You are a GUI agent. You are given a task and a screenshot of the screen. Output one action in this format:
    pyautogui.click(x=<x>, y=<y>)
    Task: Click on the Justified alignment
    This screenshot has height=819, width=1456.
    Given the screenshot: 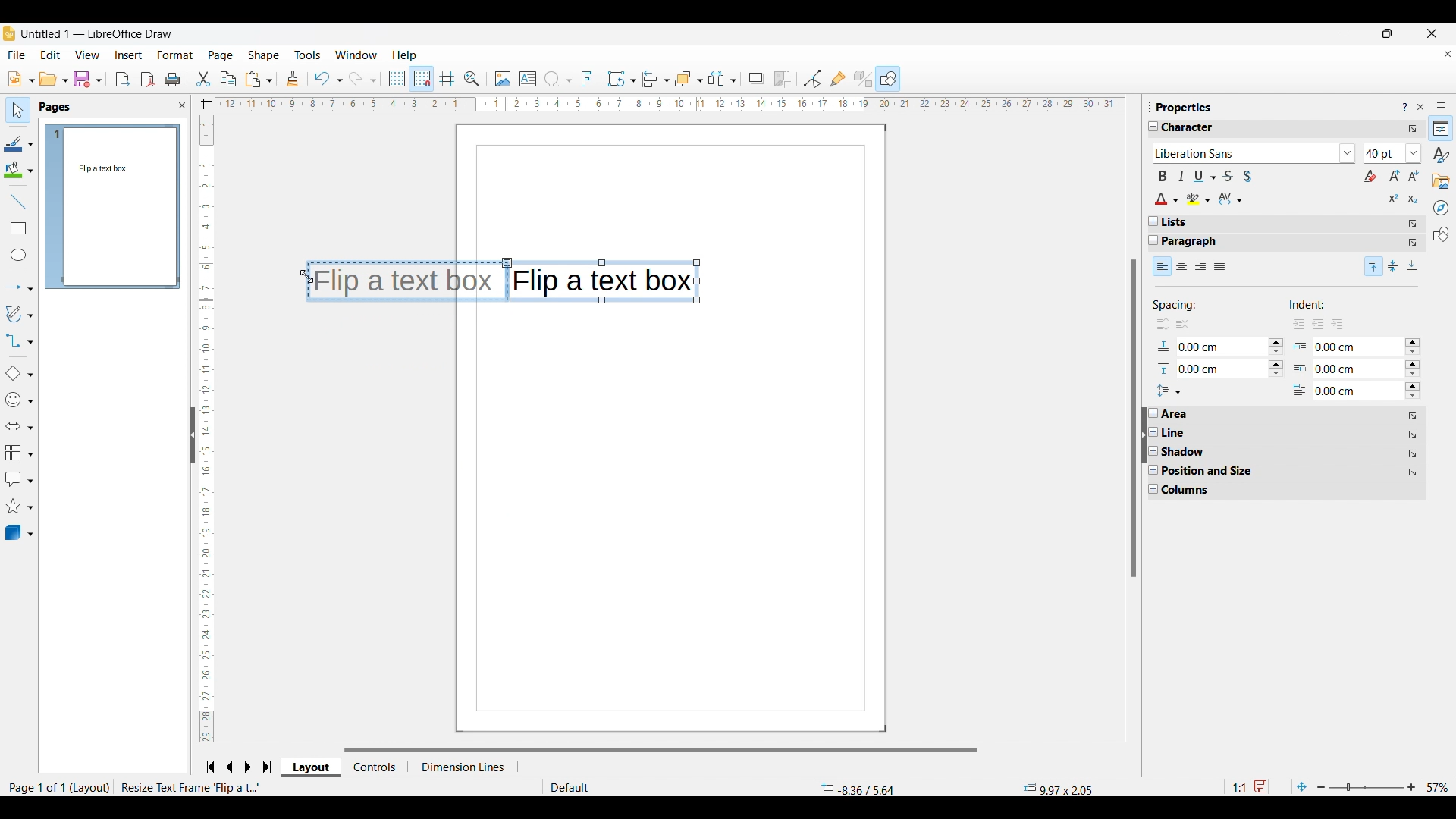 What is the action you would take?
    pyautogui.click(x=1220, y=267)
    